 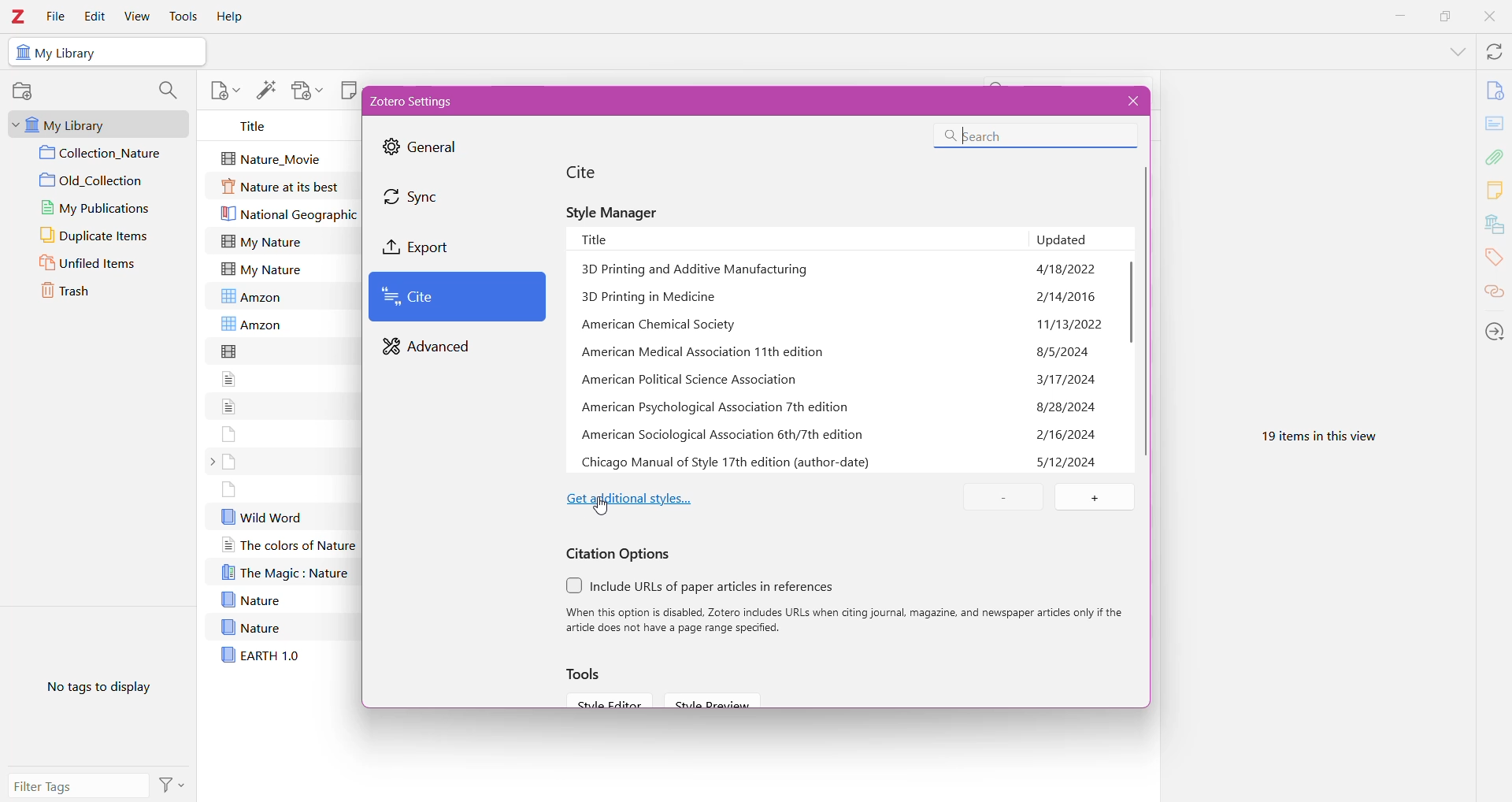 What do you see at coordinates (1443, 17) in the screenshot?
I see `Restore Down` at bounding box center [1443, 17].